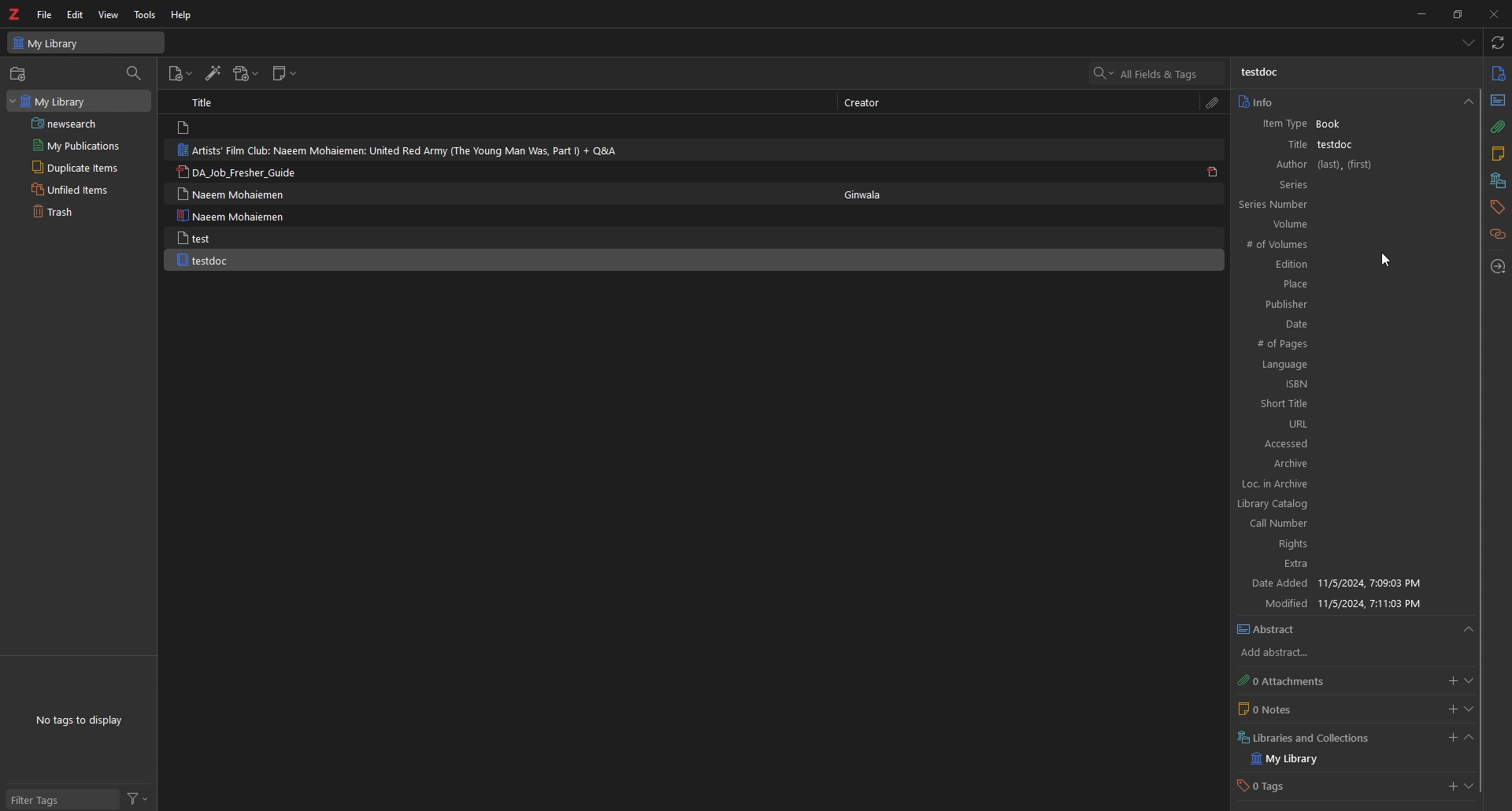  I want to click on add Library and Collection, so click(1449, 738).